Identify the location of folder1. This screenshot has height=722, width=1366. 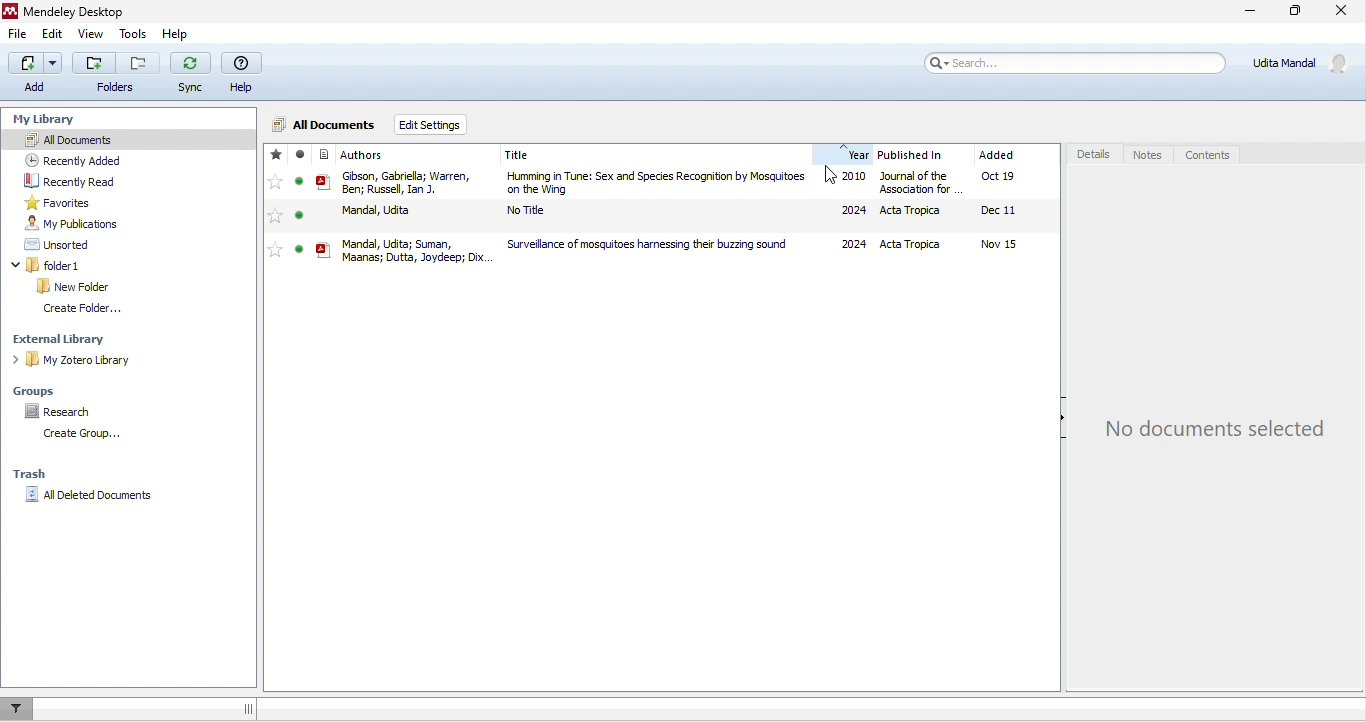
(64, 266).